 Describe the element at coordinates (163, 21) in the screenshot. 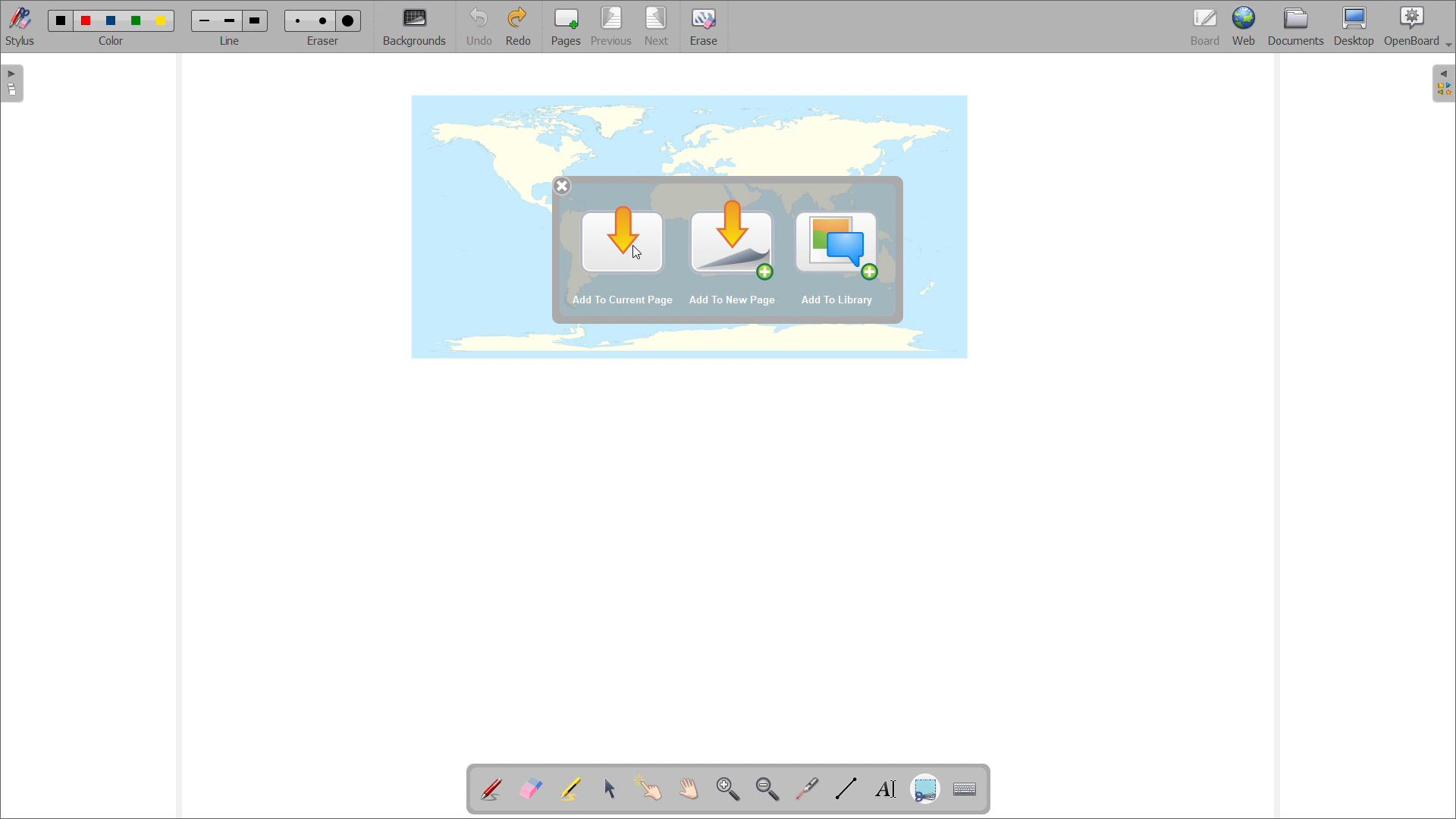

I see `yellow` at that location.